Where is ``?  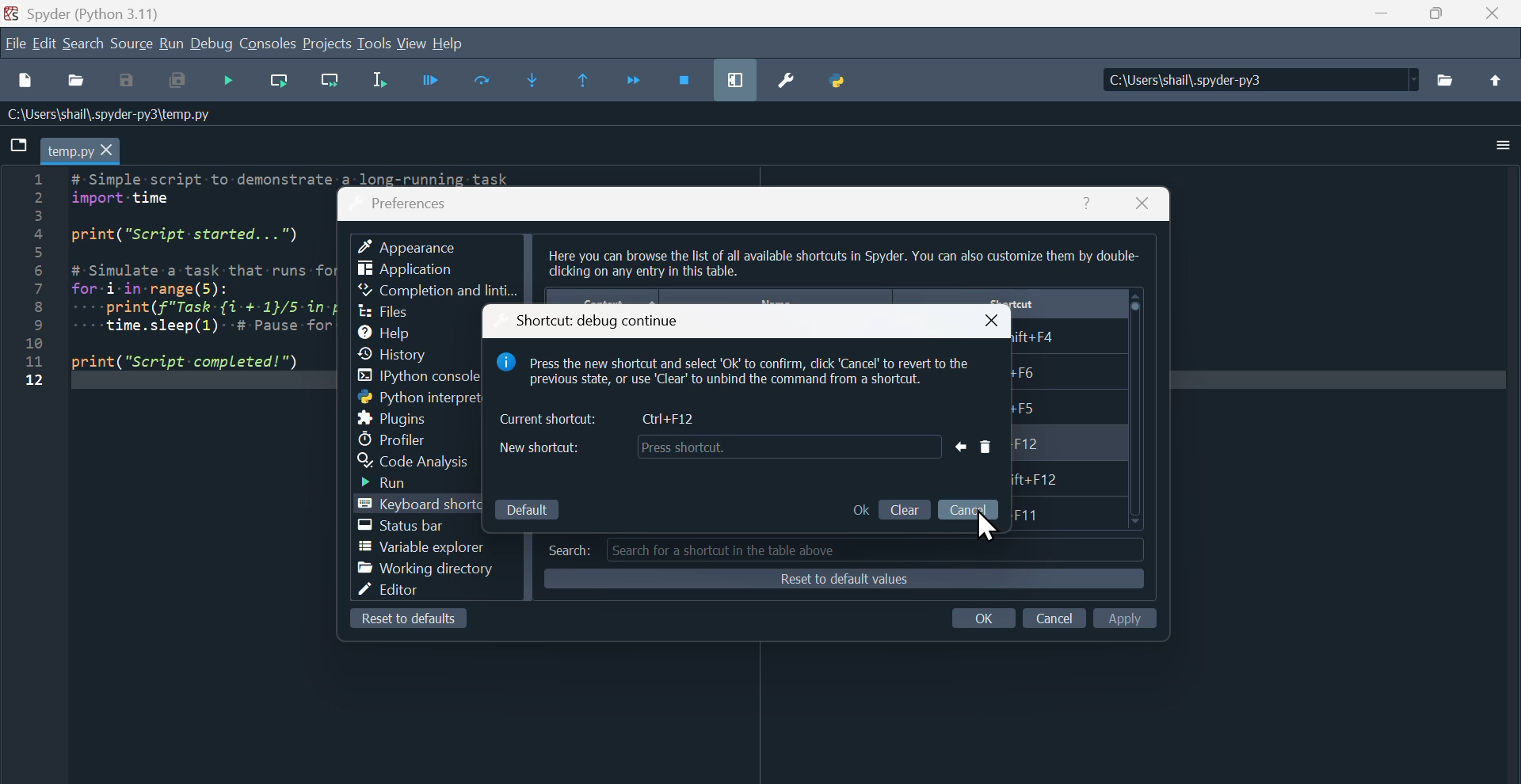  is located at coordinates (844, 260).